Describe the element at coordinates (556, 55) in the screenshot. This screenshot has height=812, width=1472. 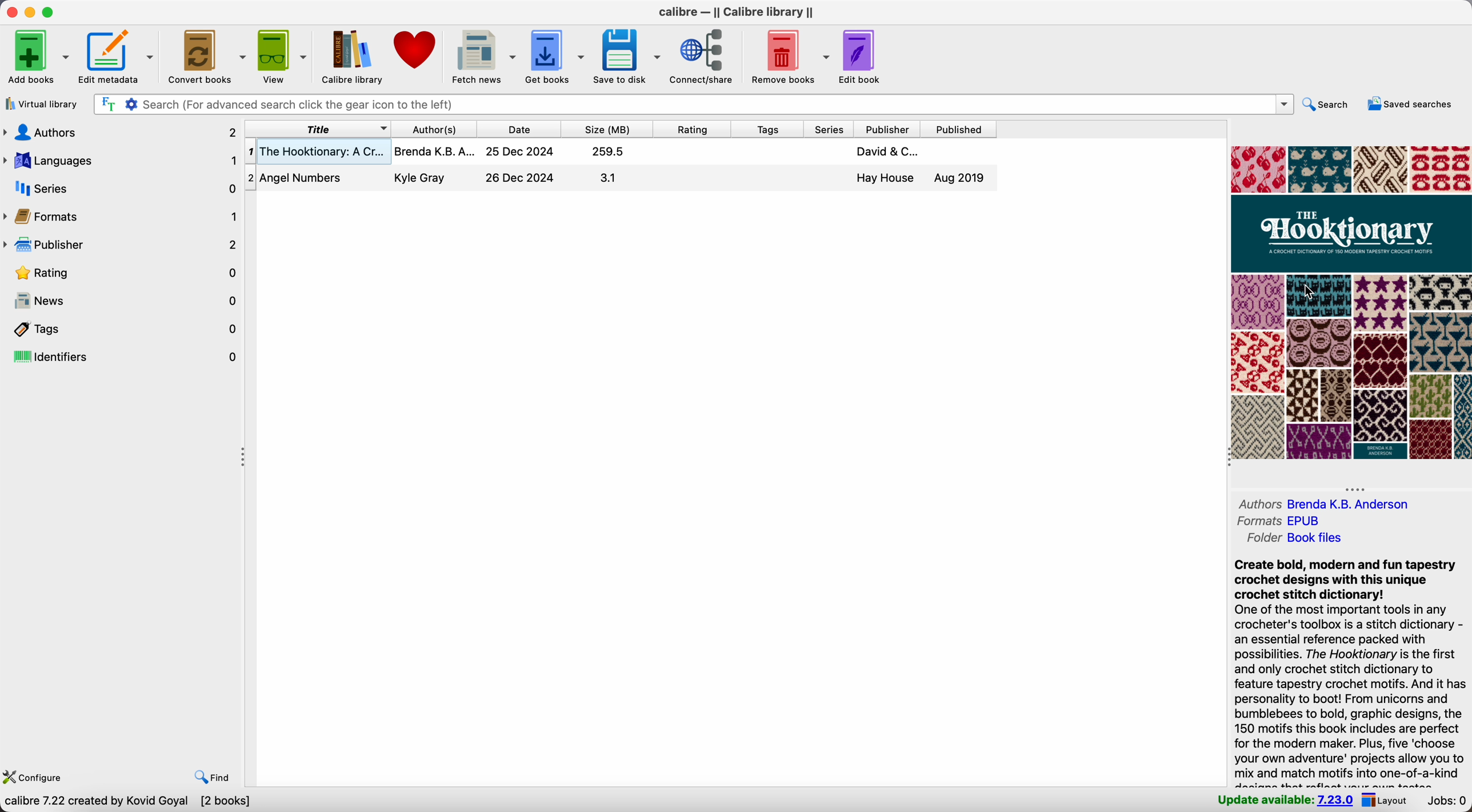
I see `get books` at that location.